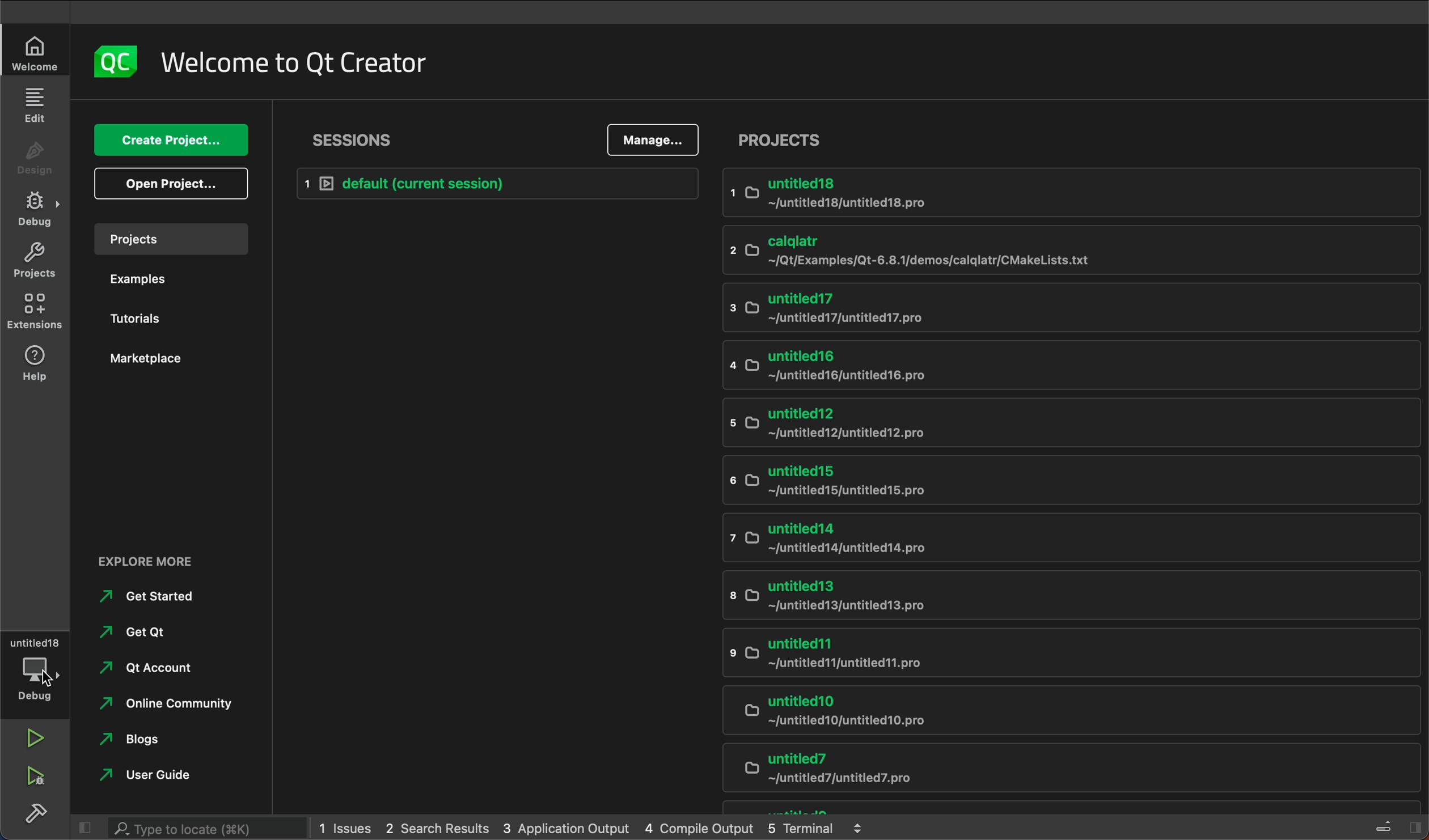 Image resolution: width=1429 pixels, height=840 pixels. I want to click on toggle sidebar, so click(1398, 825).